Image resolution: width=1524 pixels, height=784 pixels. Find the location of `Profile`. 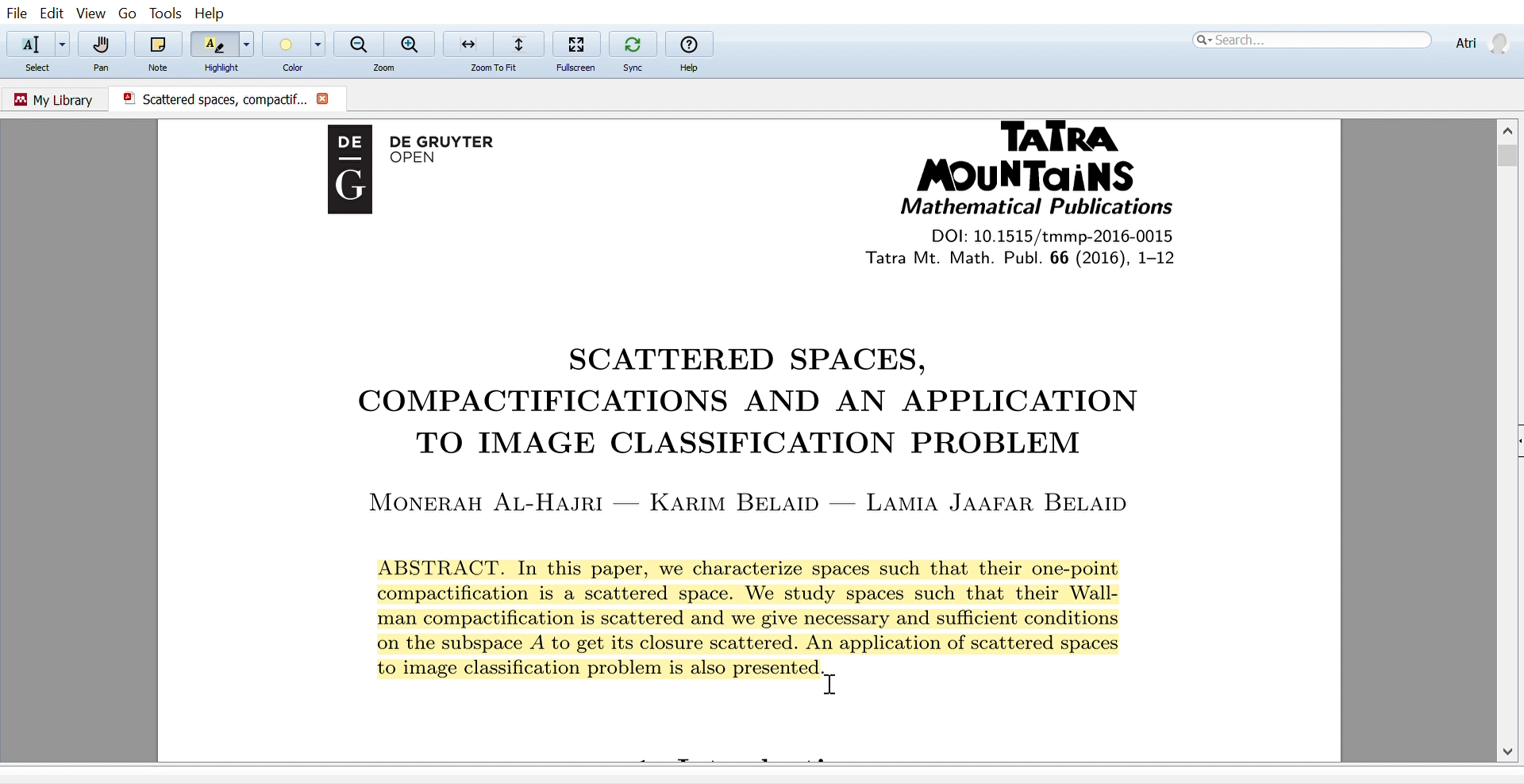

Profile is located at coordinates (1480, 41).